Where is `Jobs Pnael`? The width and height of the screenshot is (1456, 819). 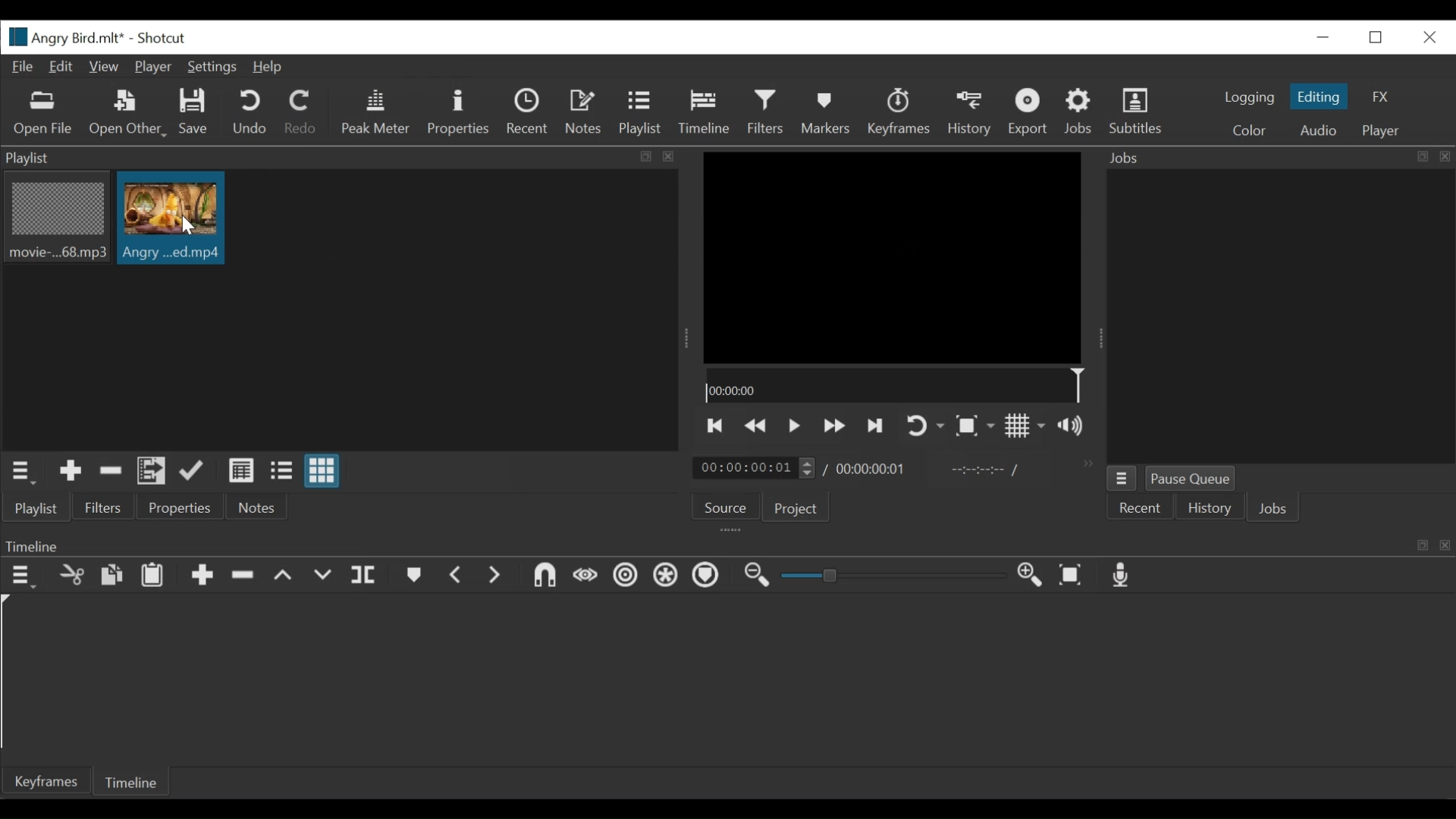 Jobs Pnael is located at coordinates (1279, 160).